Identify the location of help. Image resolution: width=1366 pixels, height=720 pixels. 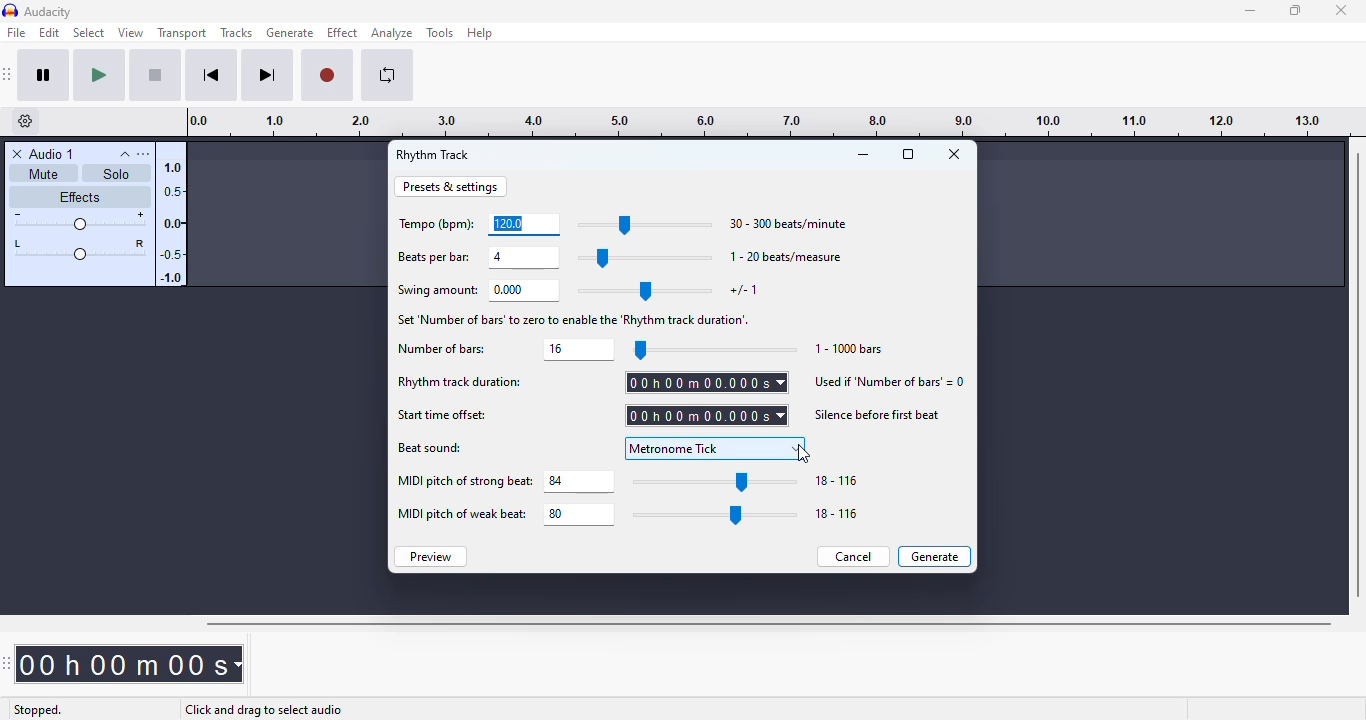
(480, 33).